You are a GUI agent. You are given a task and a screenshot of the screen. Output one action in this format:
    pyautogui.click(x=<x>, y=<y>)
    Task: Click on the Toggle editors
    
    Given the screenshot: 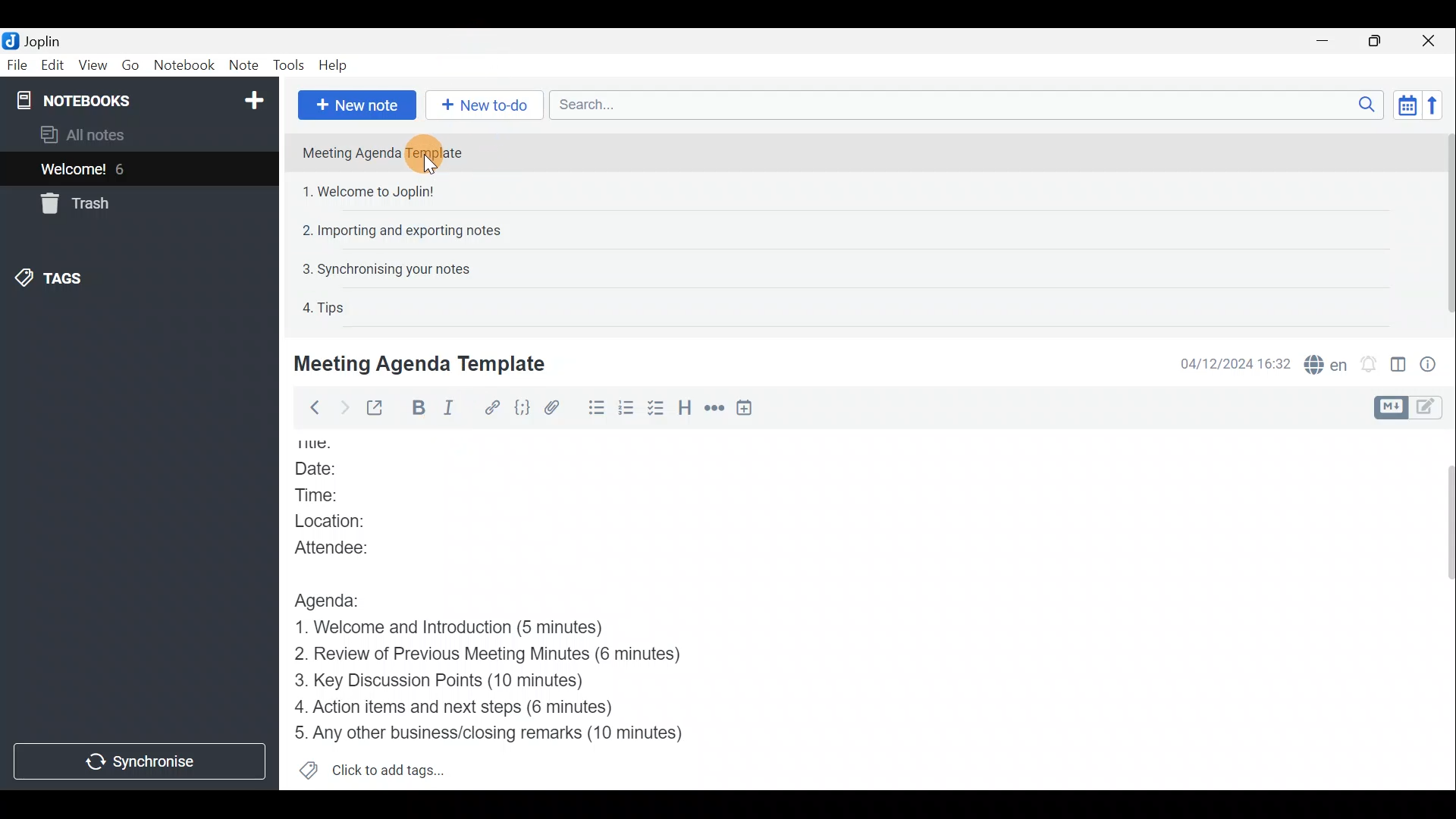 What is the action you would take?
    pyautogui.click(x=1429, y=409)
    